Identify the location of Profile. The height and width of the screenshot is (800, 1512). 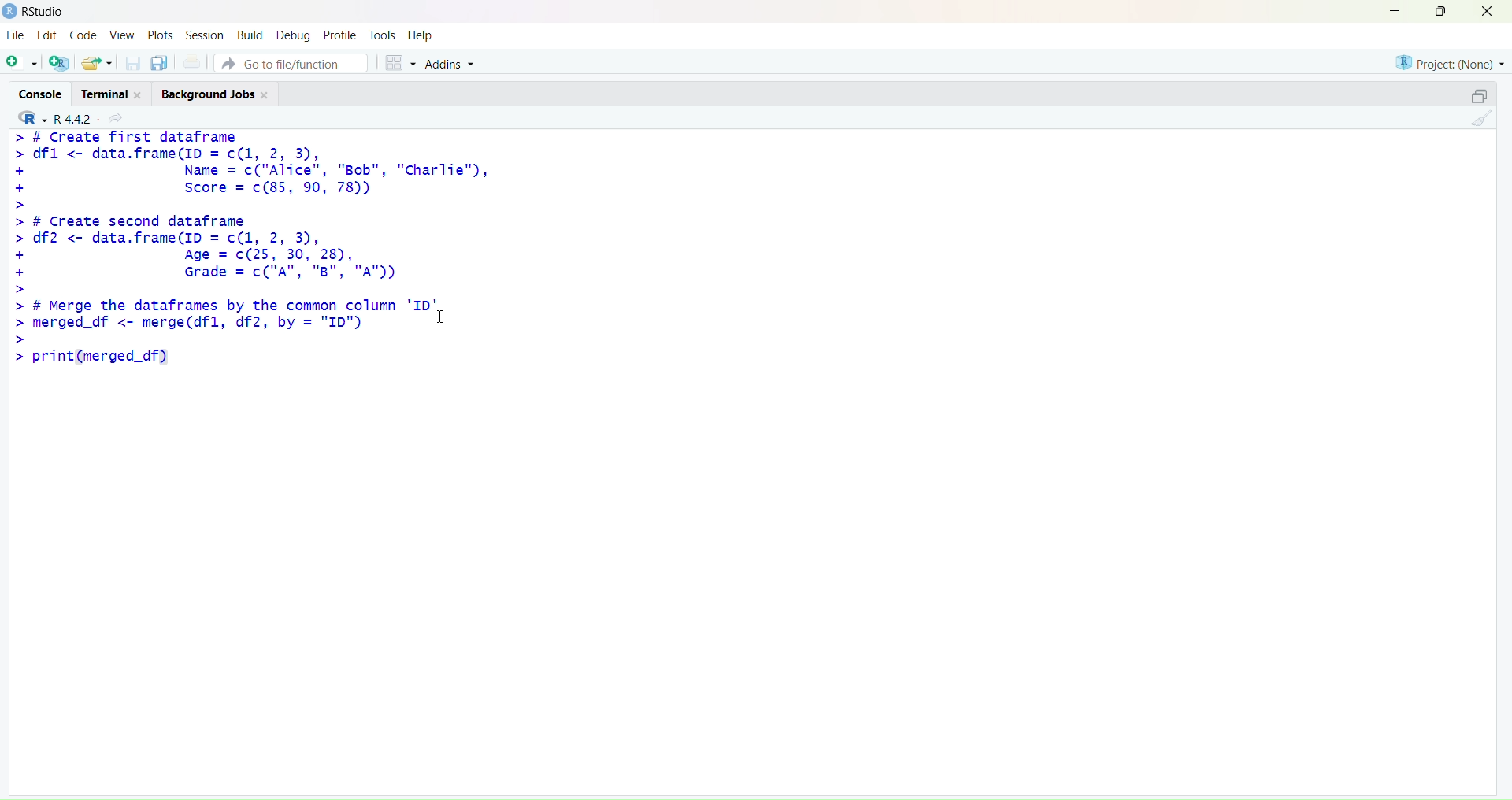
(341, 35).